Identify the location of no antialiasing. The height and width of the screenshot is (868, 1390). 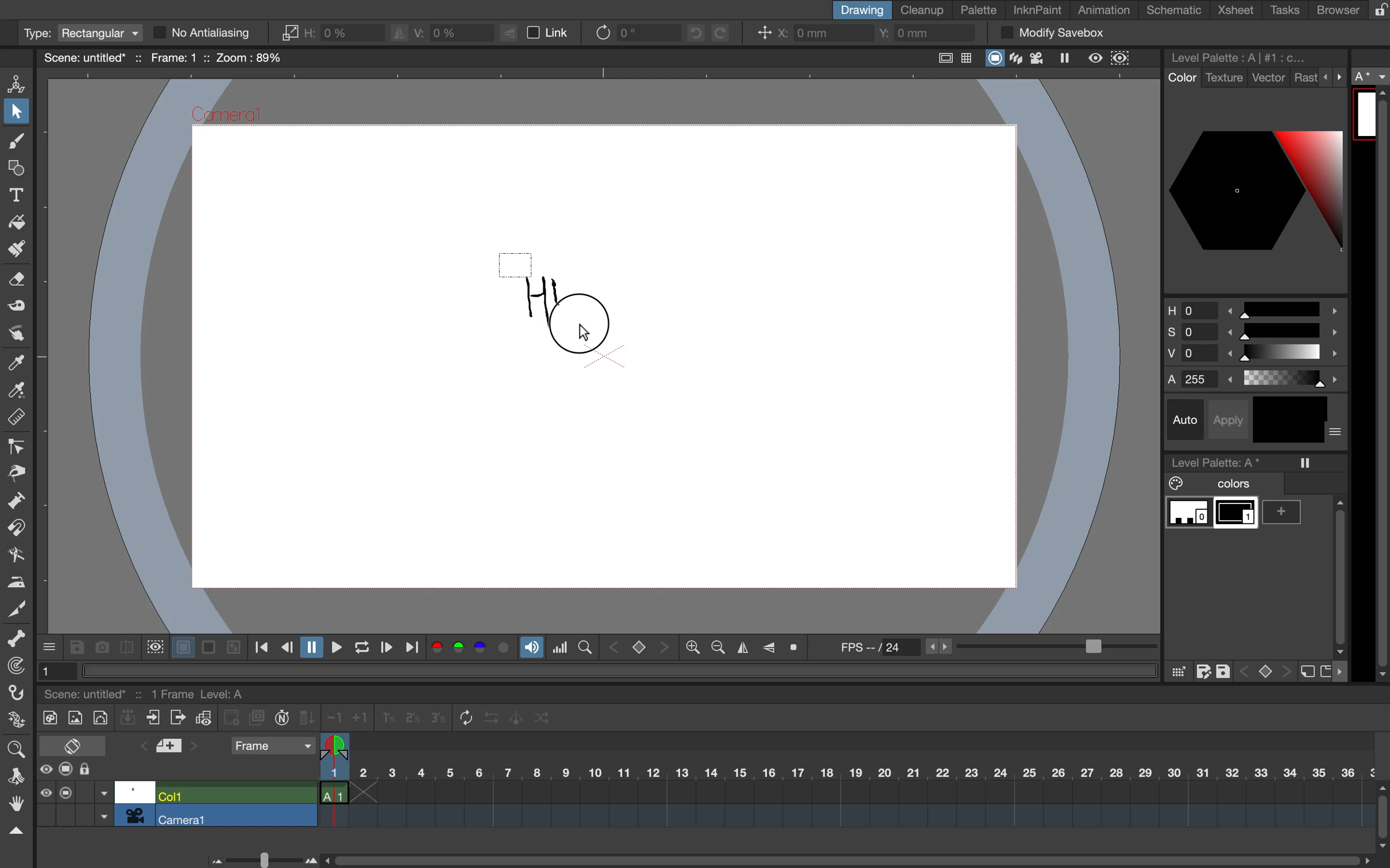
(213, 33).